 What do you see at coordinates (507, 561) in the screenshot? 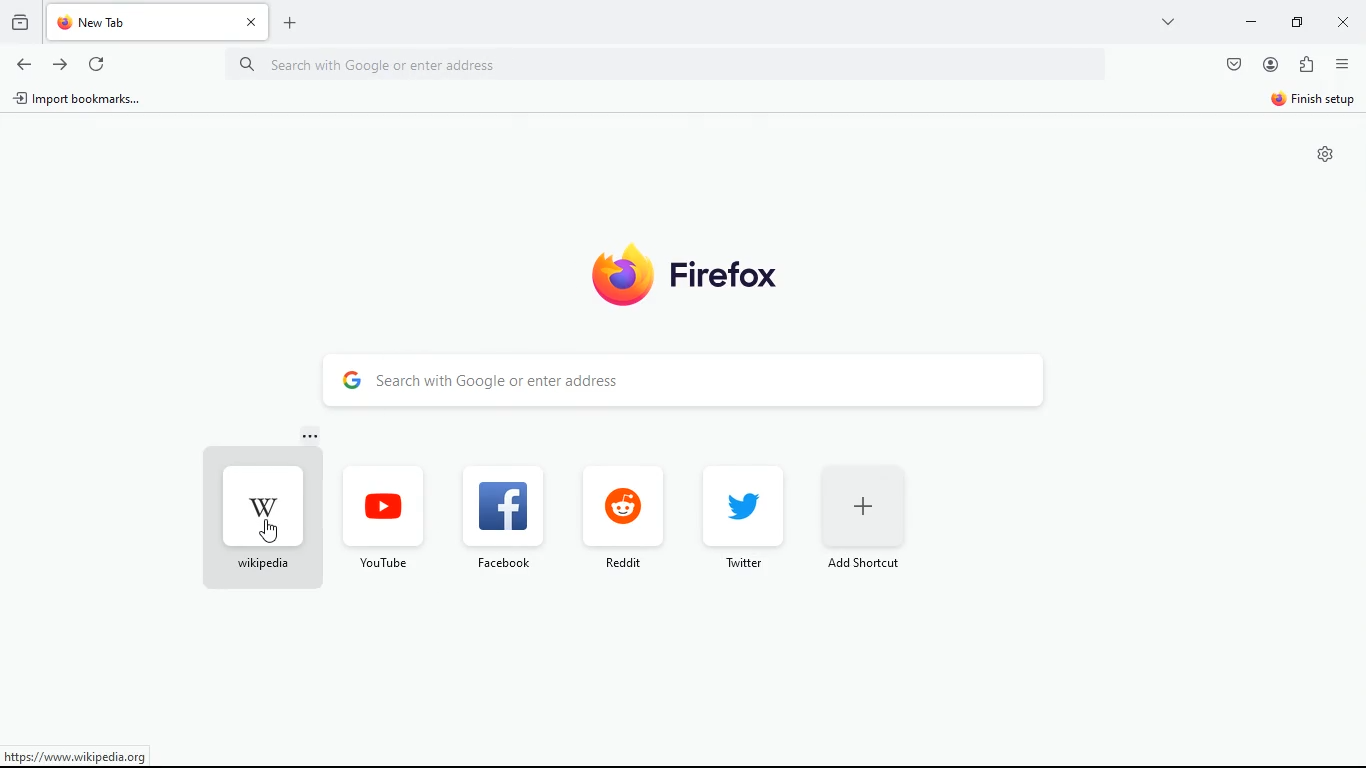
I see `facebook` at bounding box center [507, 561].